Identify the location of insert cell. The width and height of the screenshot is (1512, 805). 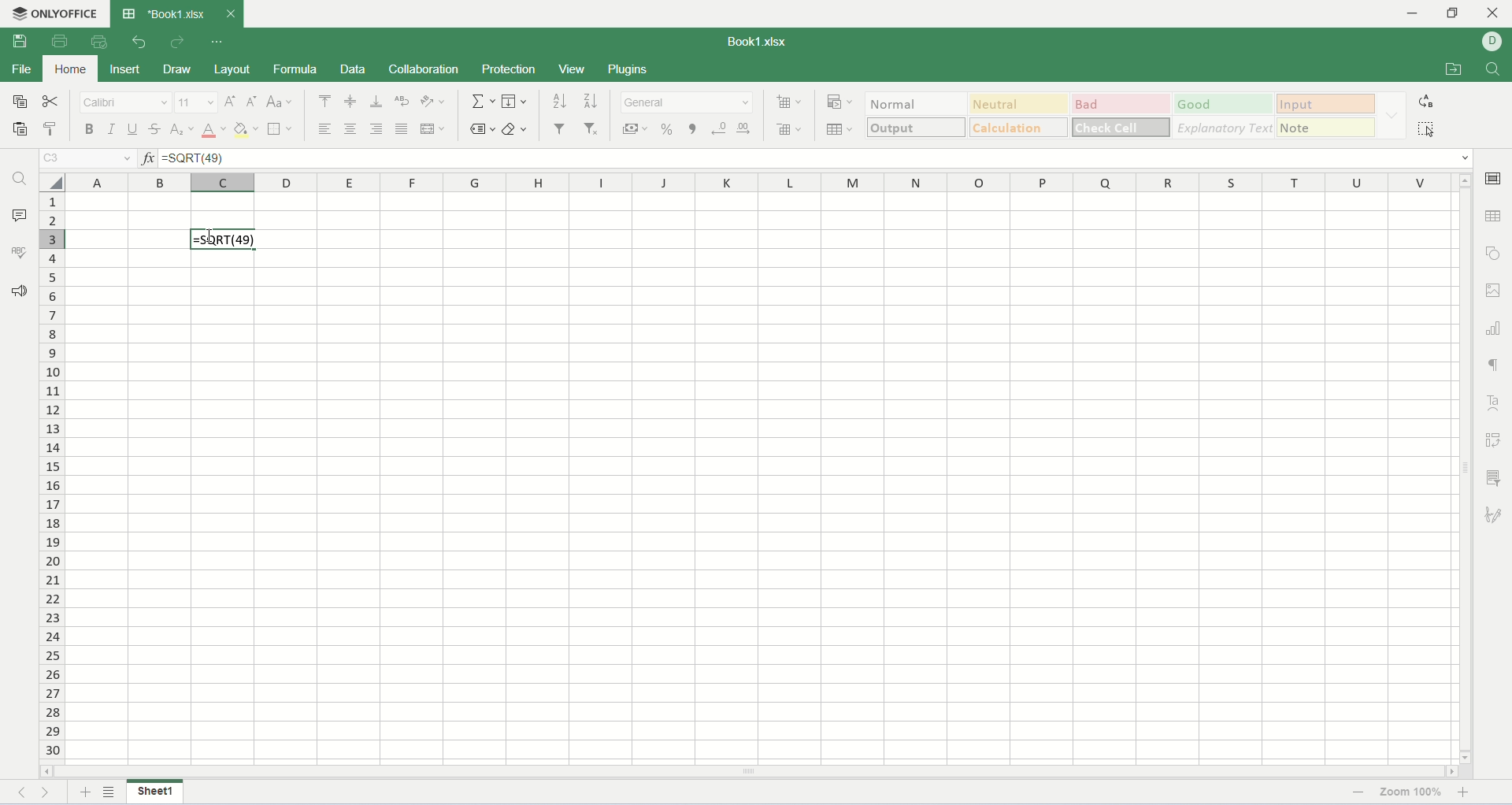
(791, 101).